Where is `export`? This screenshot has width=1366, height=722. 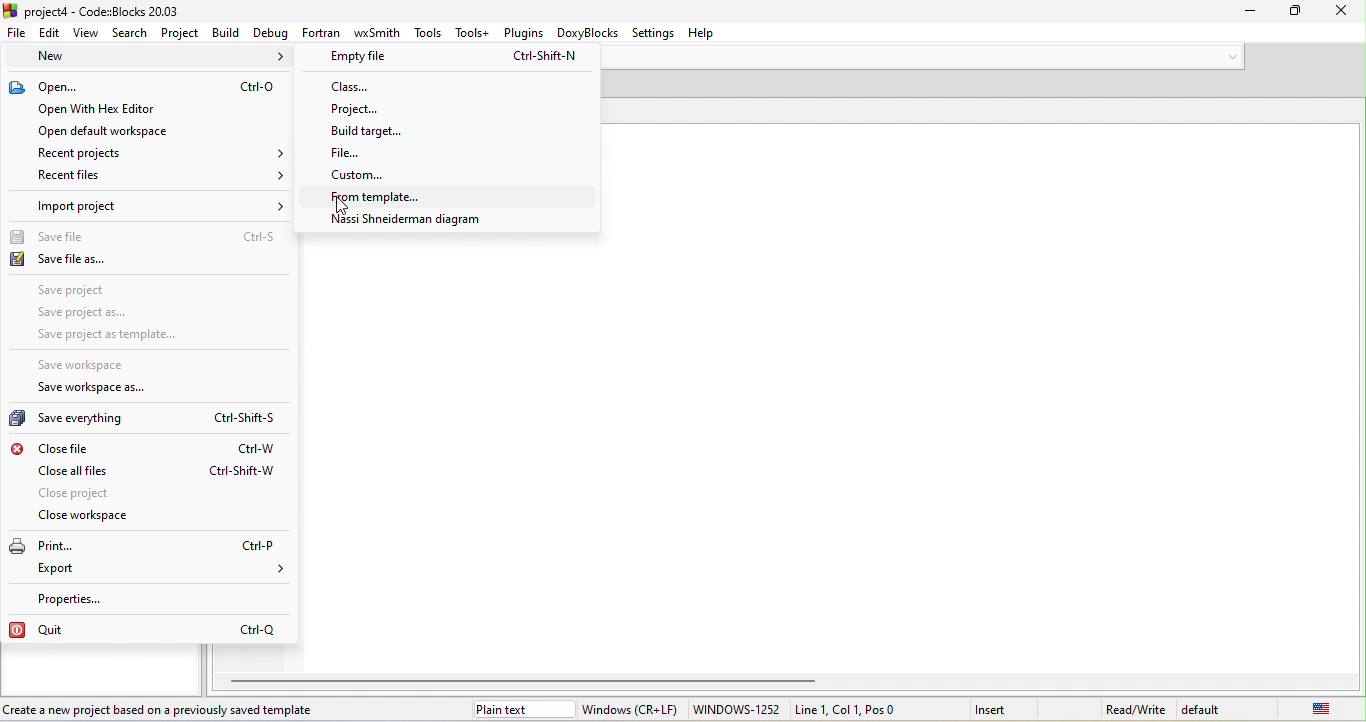
export is located at coordinates (159, 571).